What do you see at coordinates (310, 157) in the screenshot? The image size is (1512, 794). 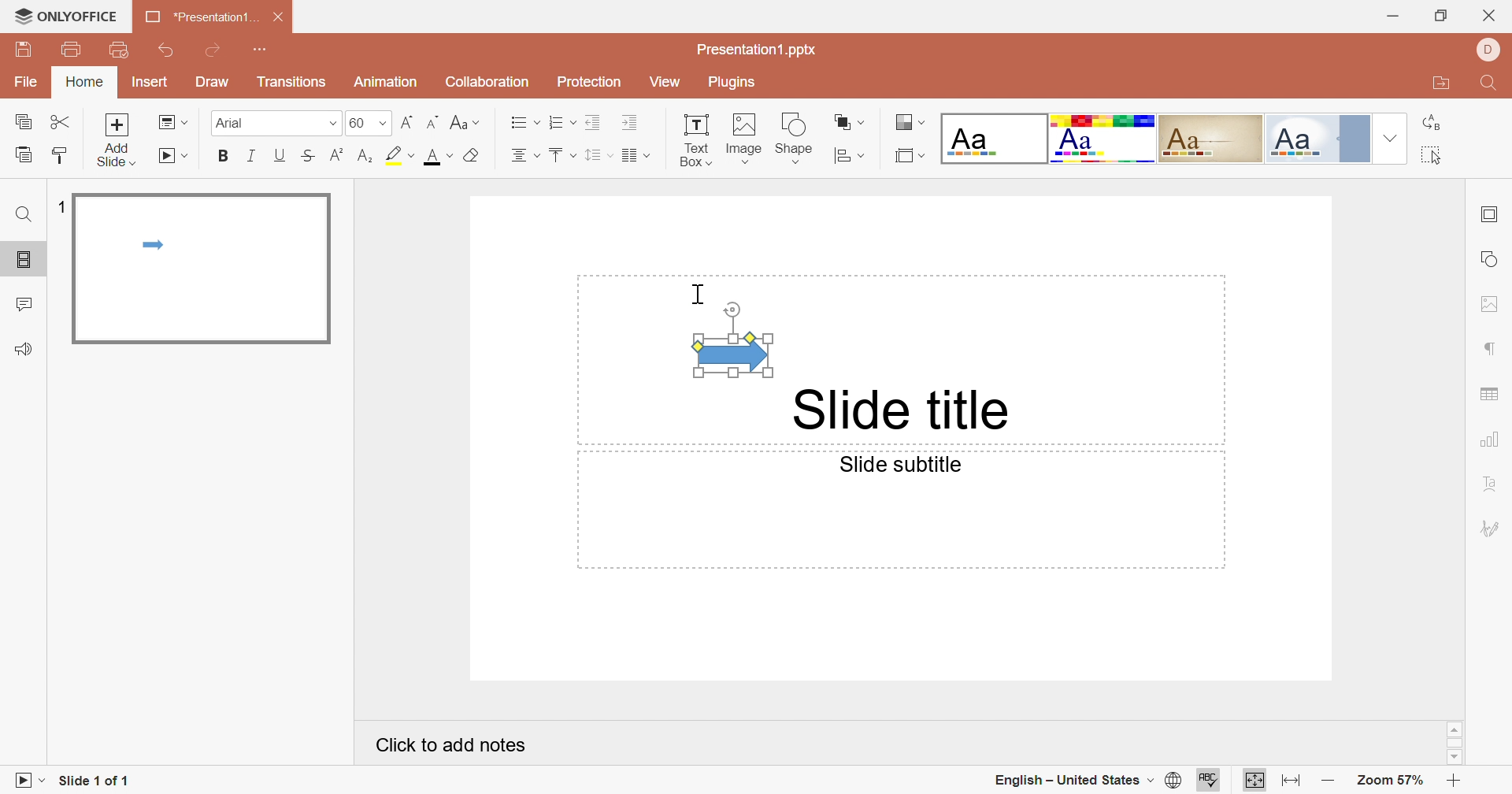 I see `Strikethrough` at bounding box center [310, 157].